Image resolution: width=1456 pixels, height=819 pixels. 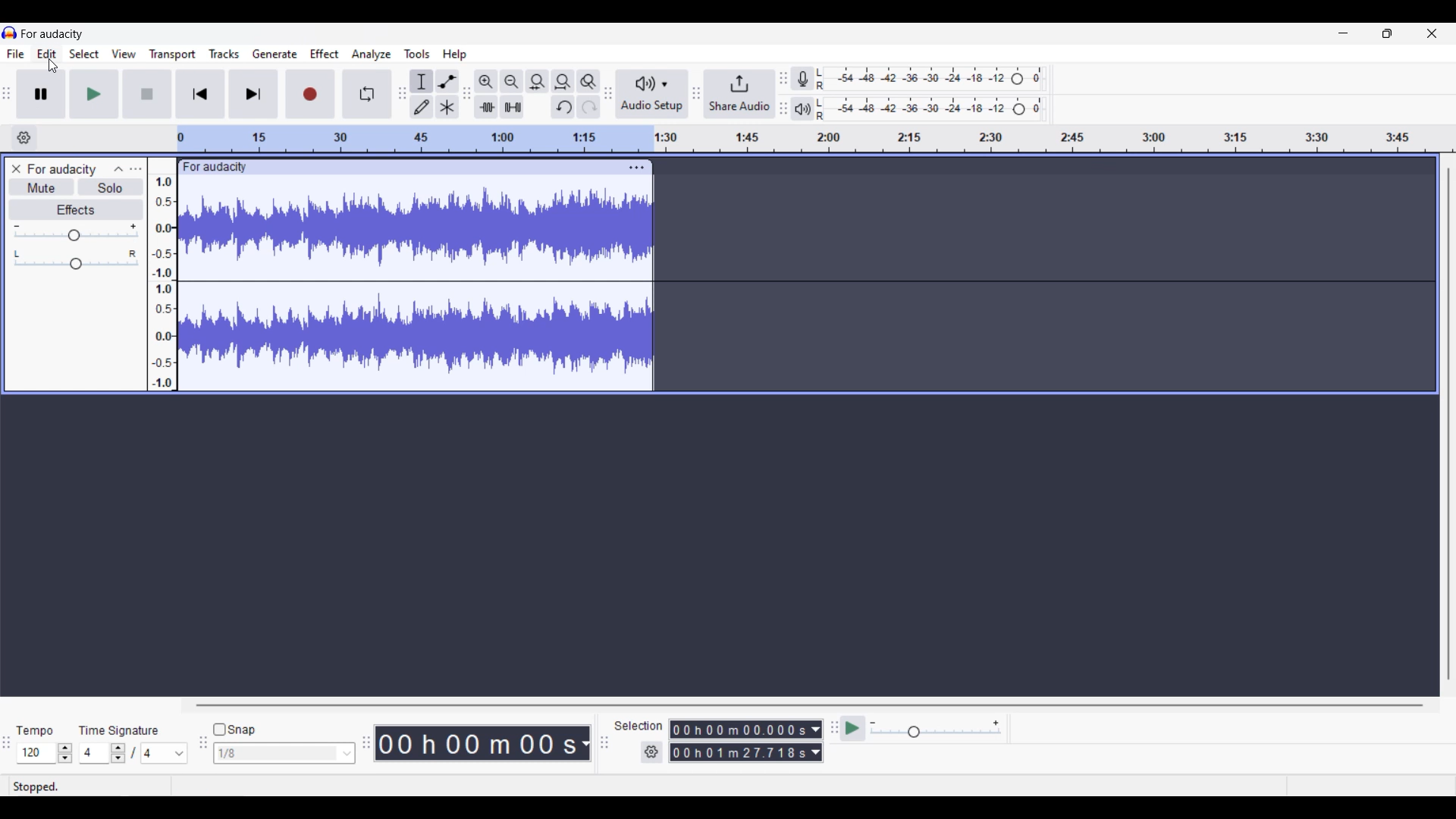 What do you see at coordinates (147, 94) in the screenshot?
I see `Stop` at bounding box center [147, 94].